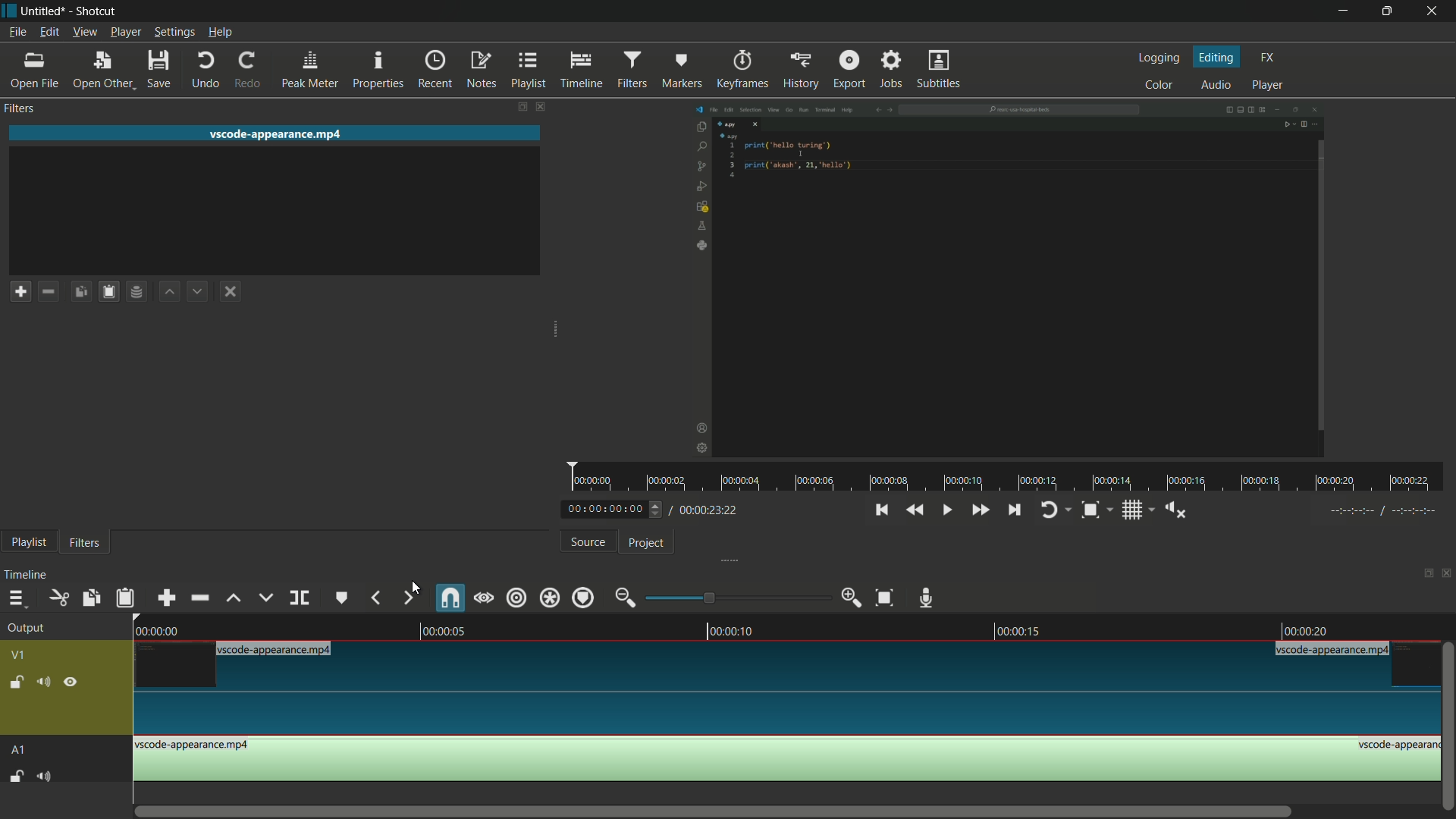 This screenshot has width=1456, height=819. Describe the element at coordinates (126, 33) in the screenshot. I see `player menu` at that location.